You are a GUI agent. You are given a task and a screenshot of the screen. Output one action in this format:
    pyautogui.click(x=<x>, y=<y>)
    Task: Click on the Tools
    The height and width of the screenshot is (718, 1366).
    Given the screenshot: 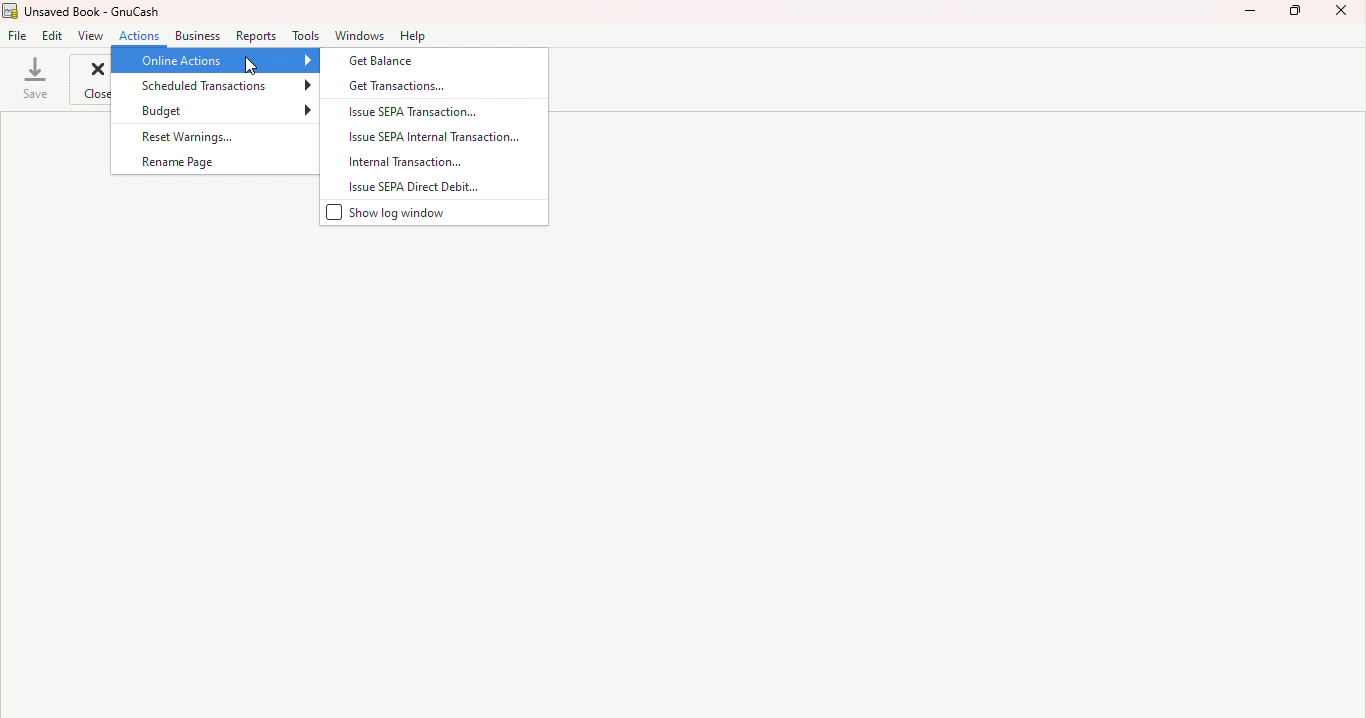 What is the action you would take?
    pyautogui.click(x=303, y=35)
    